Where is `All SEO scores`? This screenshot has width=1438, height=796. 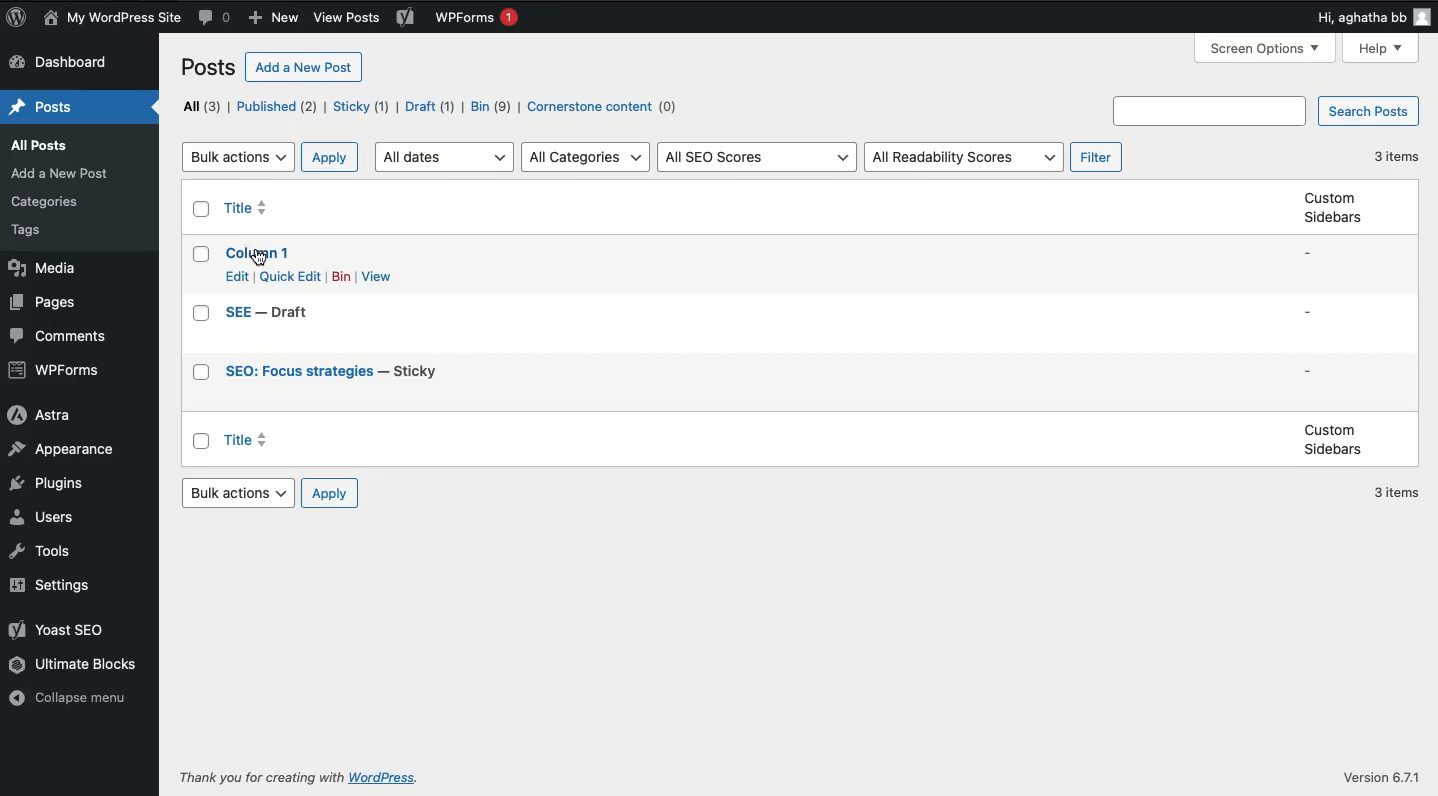 All SEO scores is located at coordinates (760, 156).